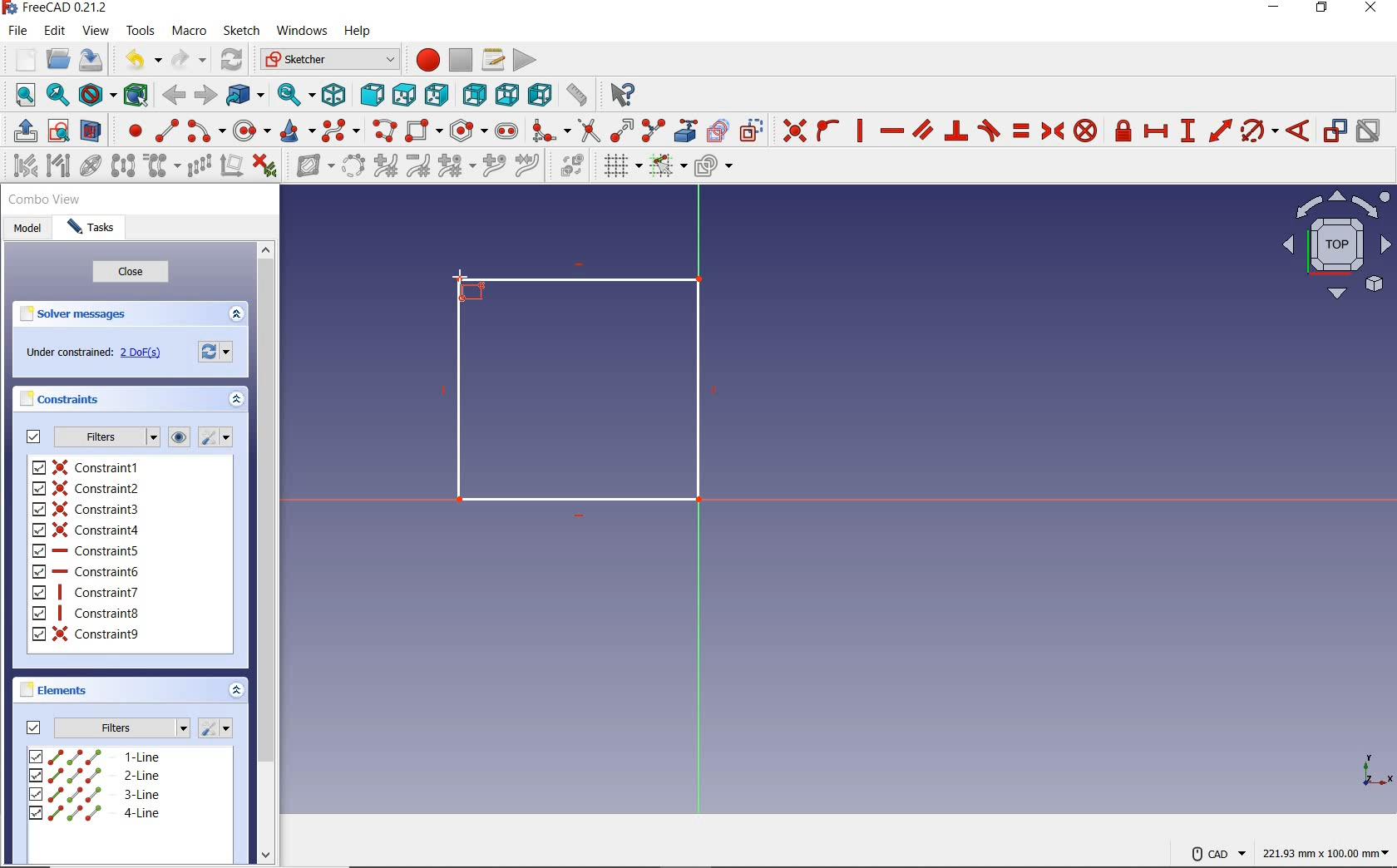 This screenshot has width=1397, height=868. I want to click on modify knot multiplicity, so click(456, 166).